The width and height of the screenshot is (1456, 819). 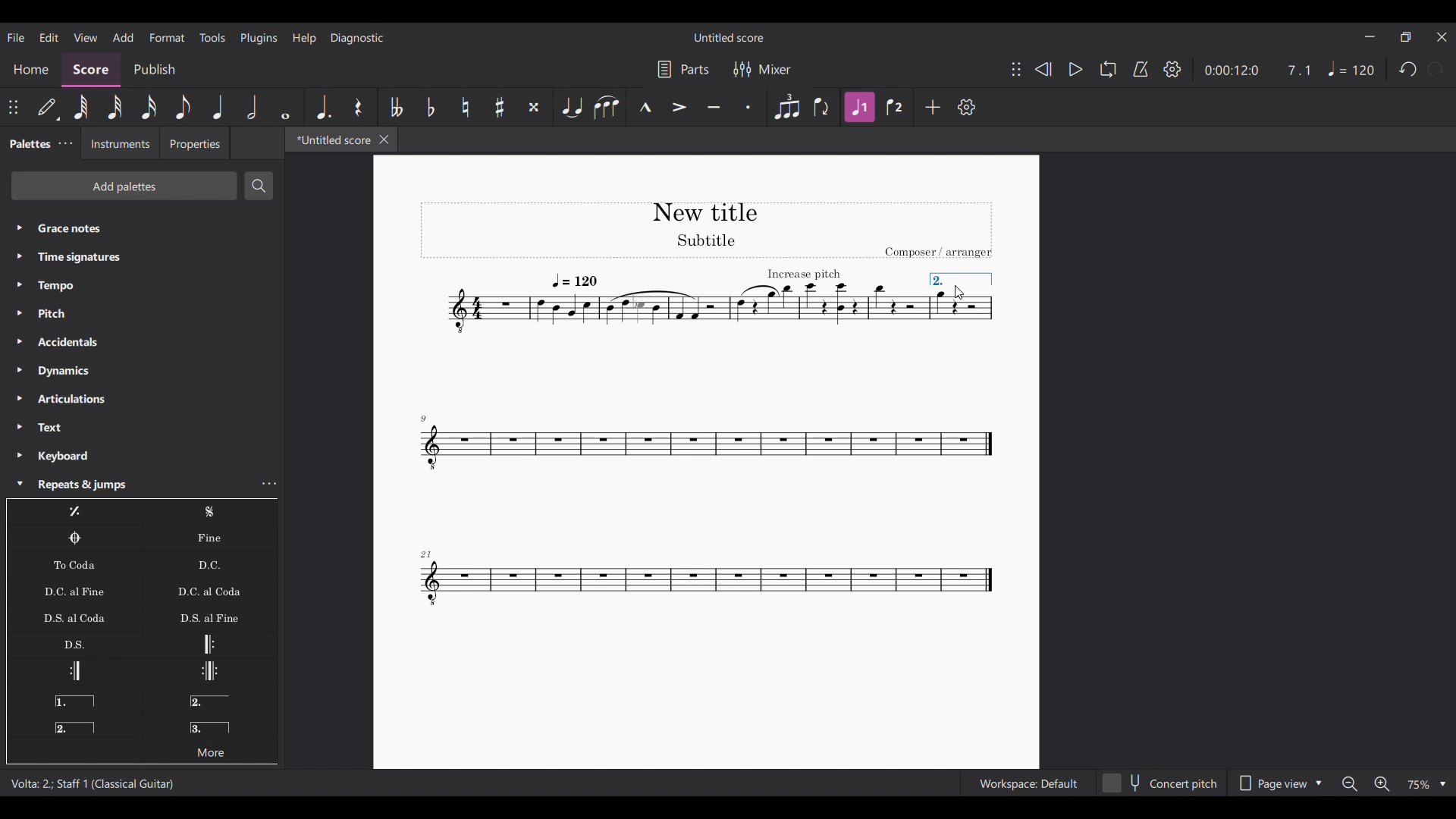 What do you see at coordinates (184, 107) in the screenshot?
I see `8th note` at bounding box center [184, 107].